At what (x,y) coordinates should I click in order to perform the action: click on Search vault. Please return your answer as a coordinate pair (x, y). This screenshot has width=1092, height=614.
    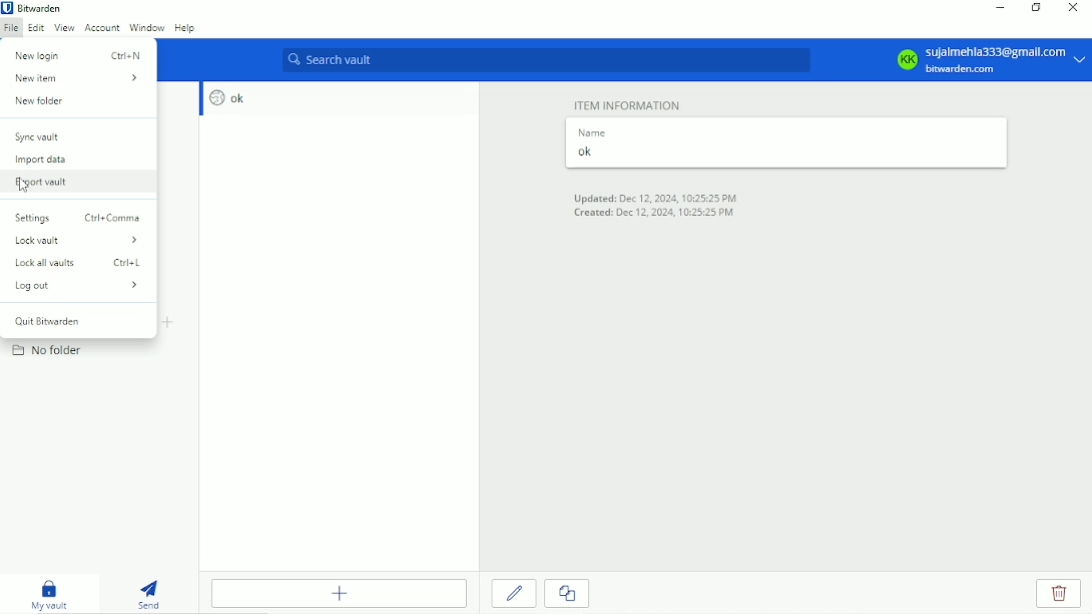
    Looking at the image, I should click on (546, 60).